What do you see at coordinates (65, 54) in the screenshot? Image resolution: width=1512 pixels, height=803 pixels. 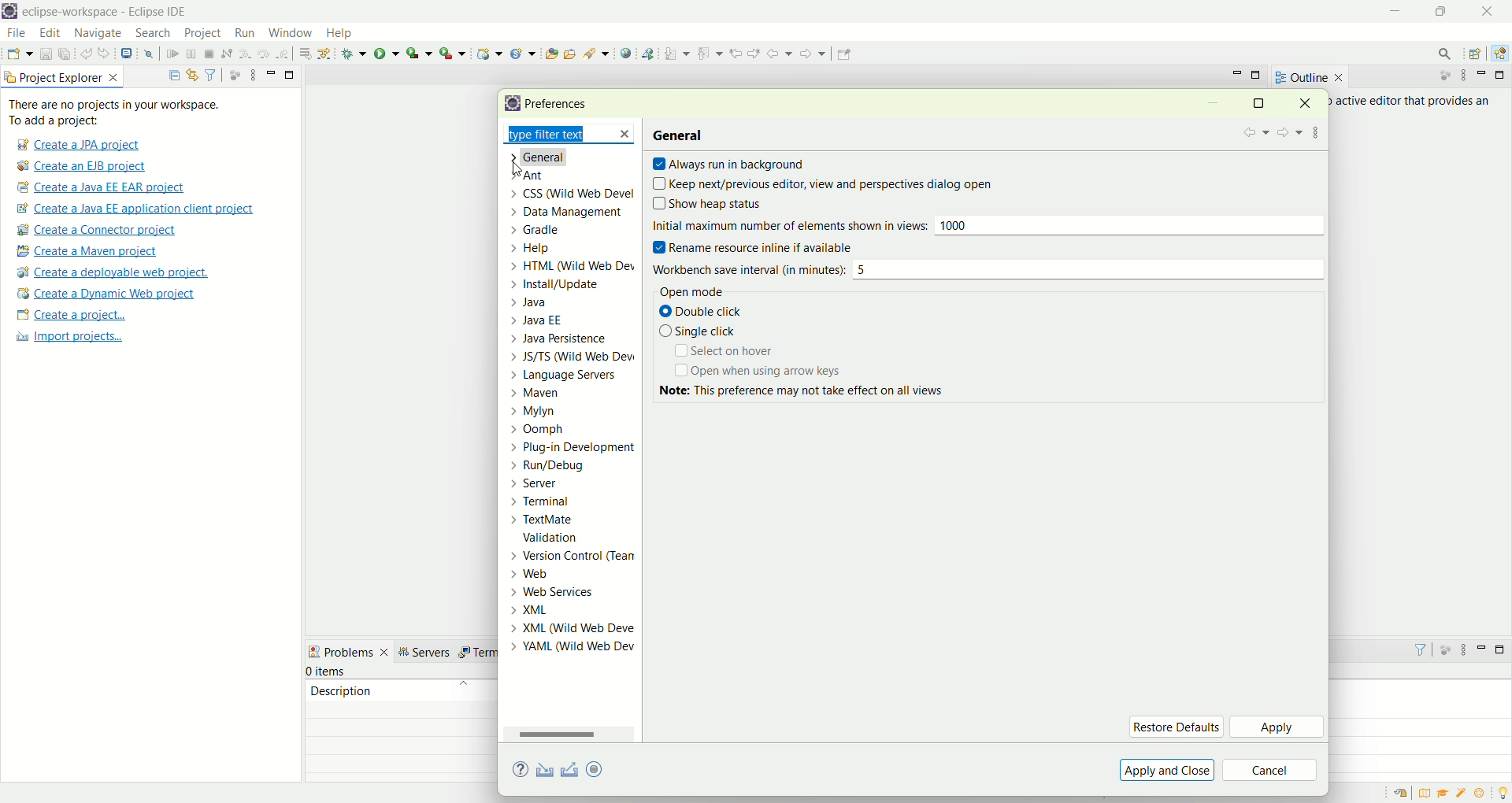 I see `save all` at bounding box center [65, 54].